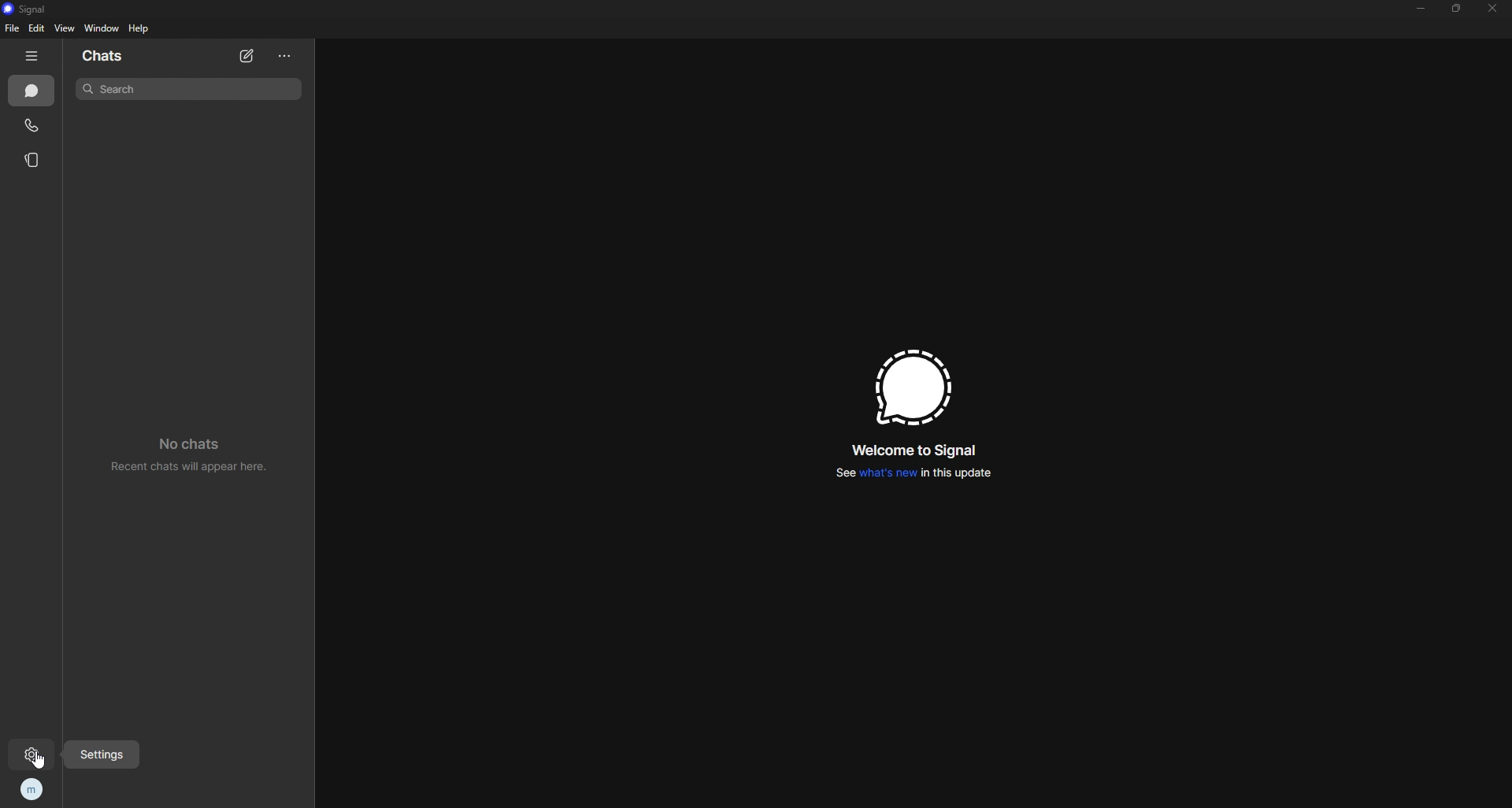  What do you see at coordinates (248, 57) in the screenshot?
I see `new chat` at bounding box center [248, 57].